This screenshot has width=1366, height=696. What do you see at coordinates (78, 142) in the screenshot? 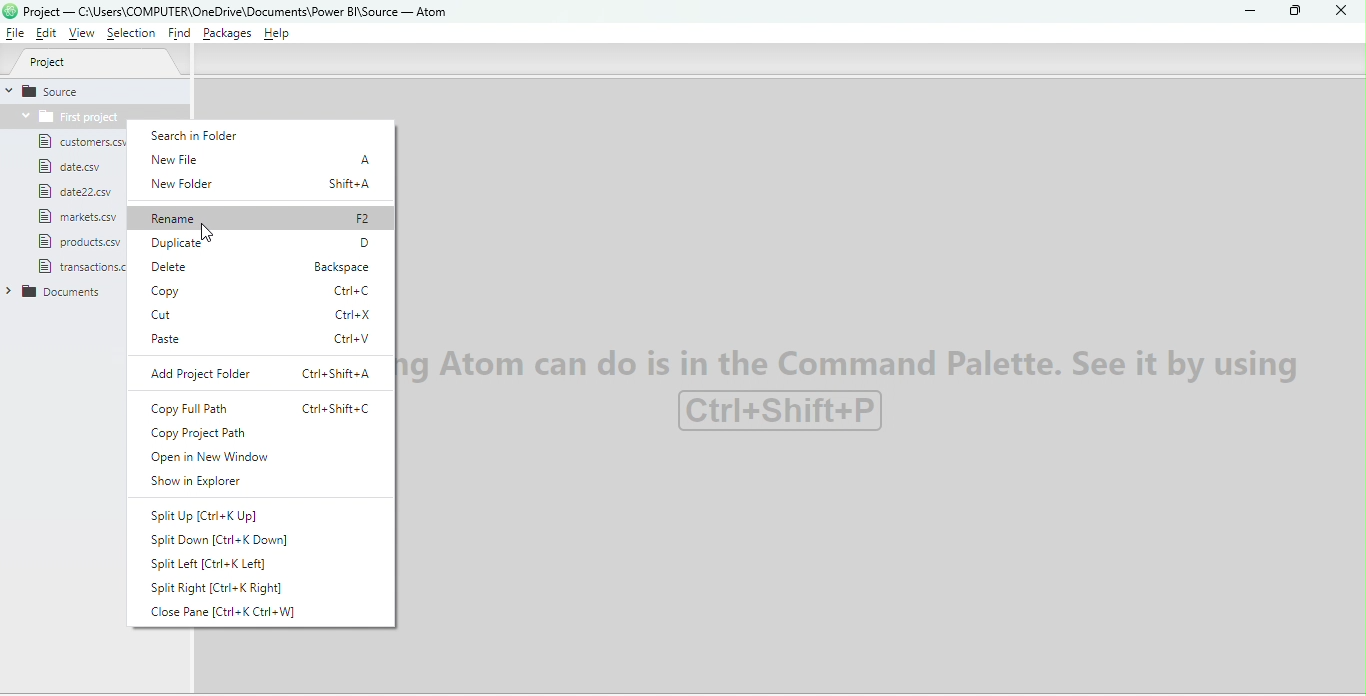
I see `File` at bounding box center [78, 142].